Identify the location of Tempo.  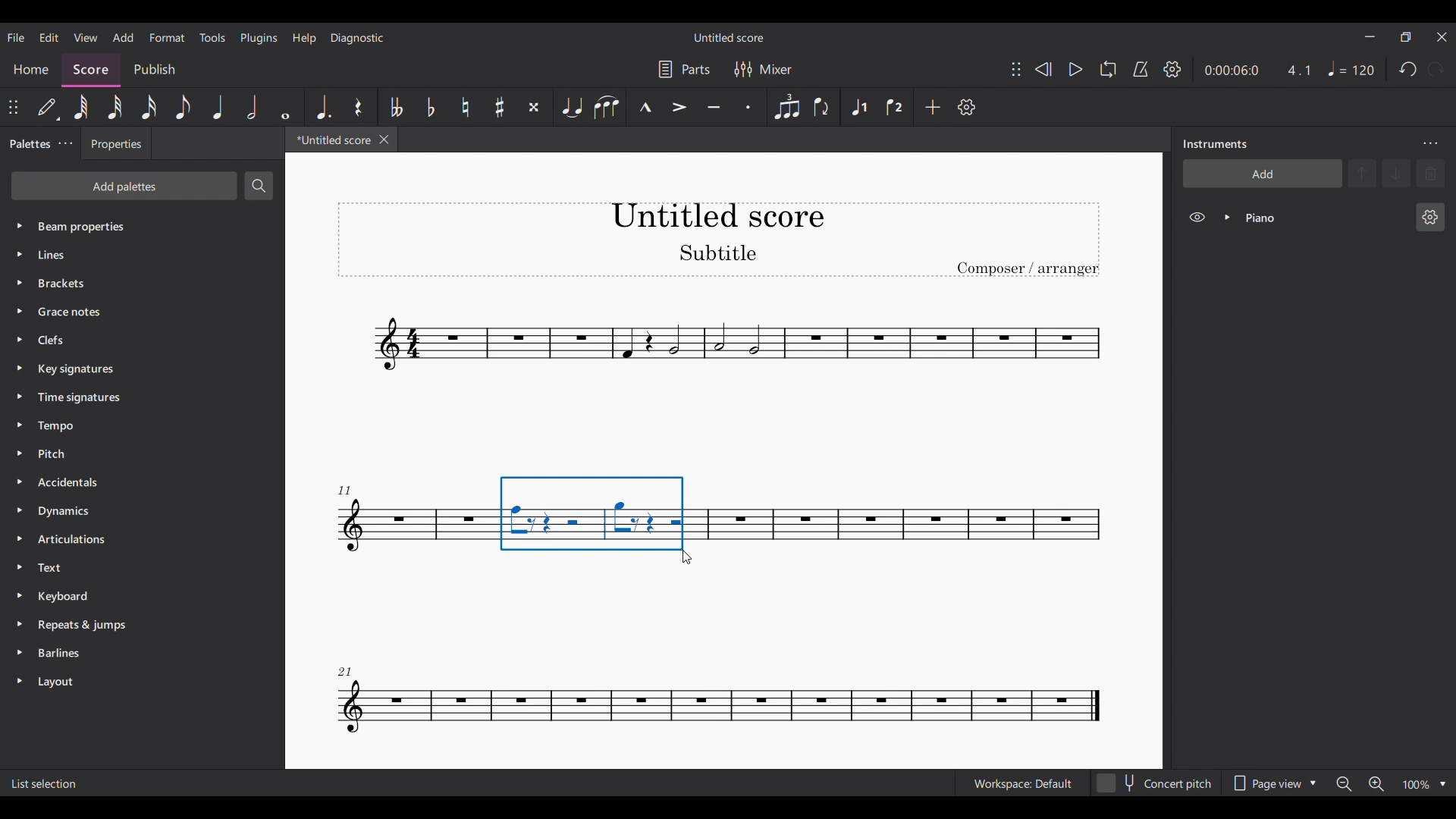
(1351, 68).